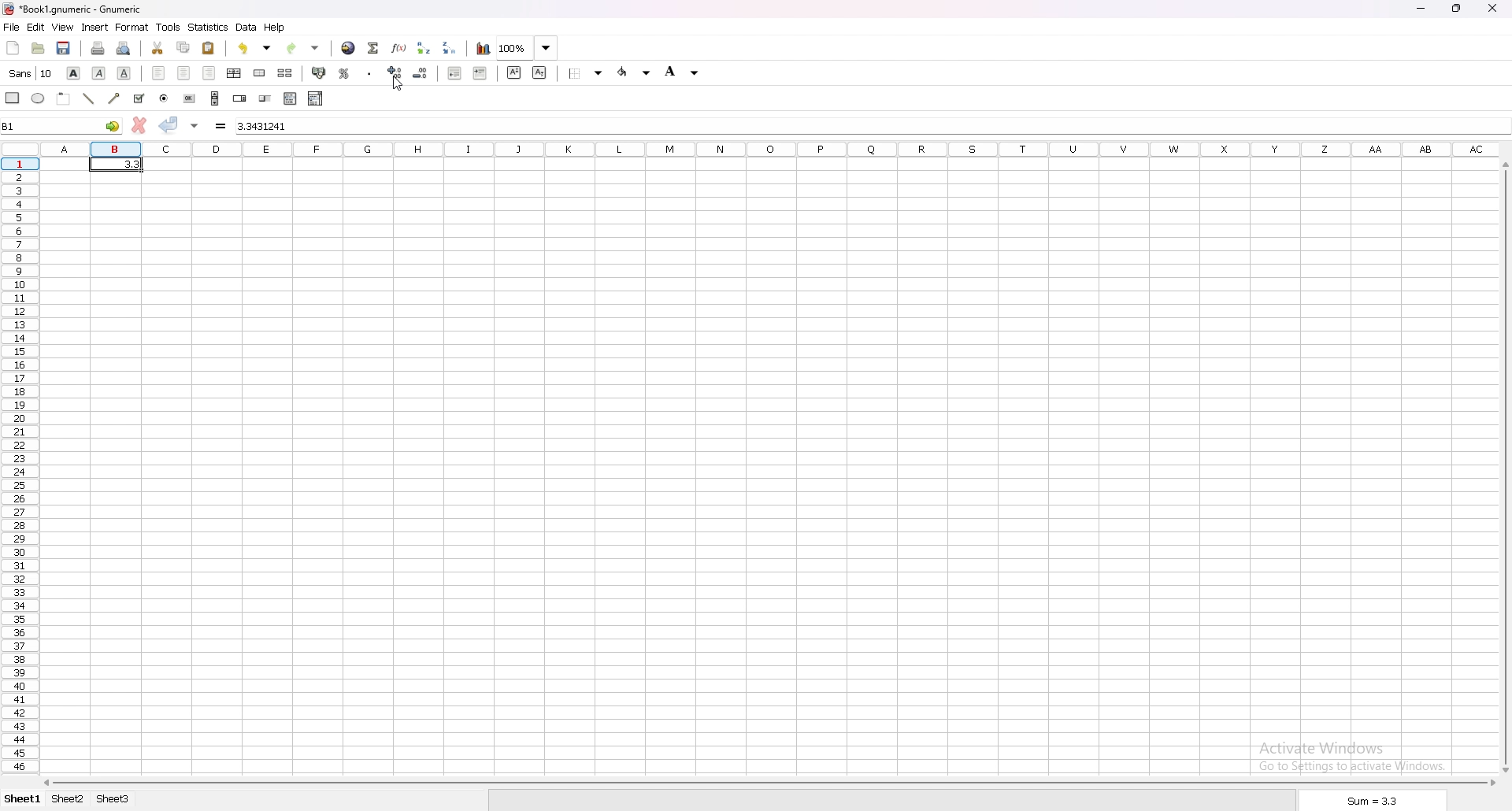 The height and width of the screenshot is (811, 1512). I want to click on sheet1, so click(21, 799).